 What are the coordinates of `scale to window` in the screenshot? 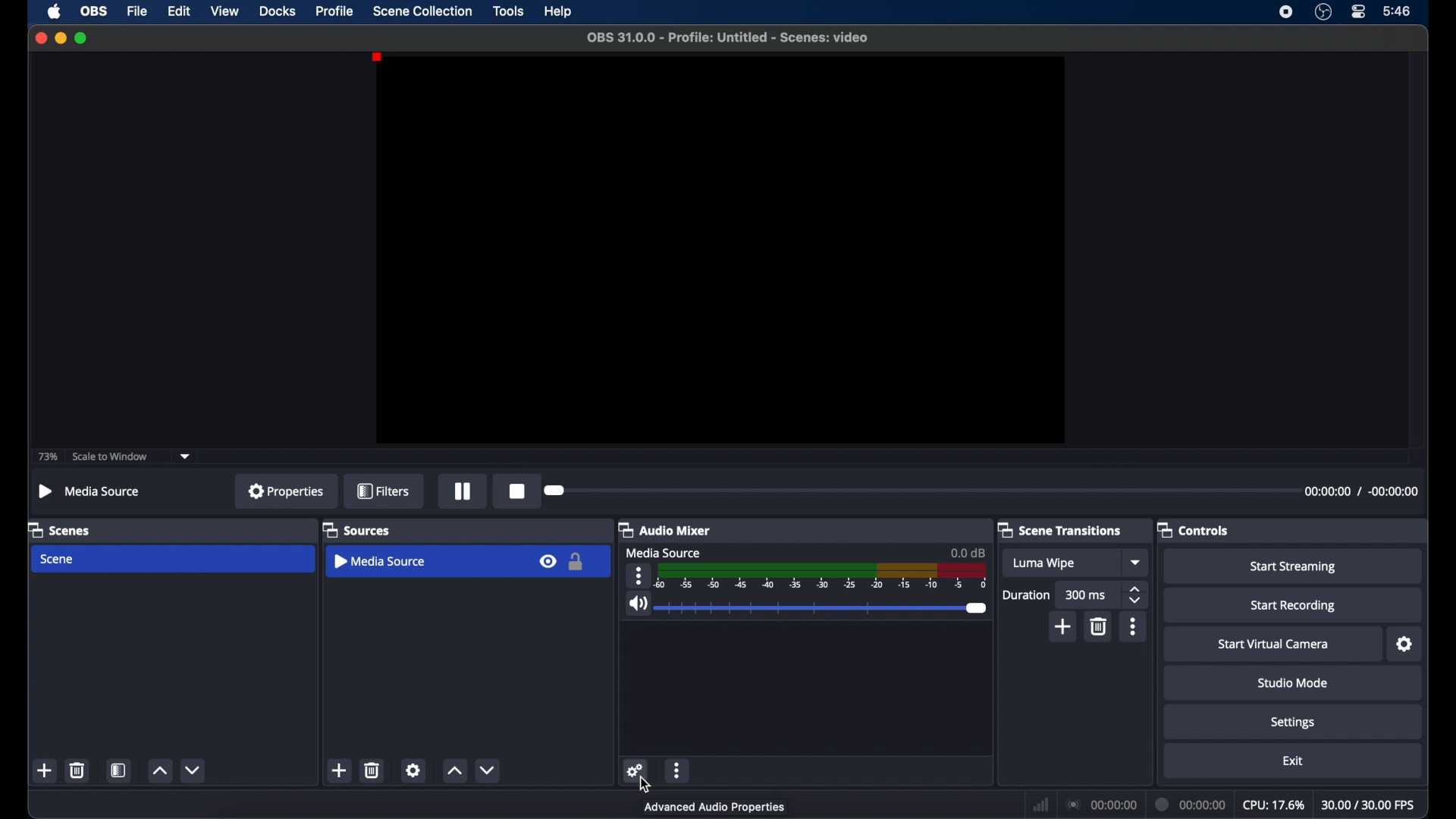 It's located at (108, 457).